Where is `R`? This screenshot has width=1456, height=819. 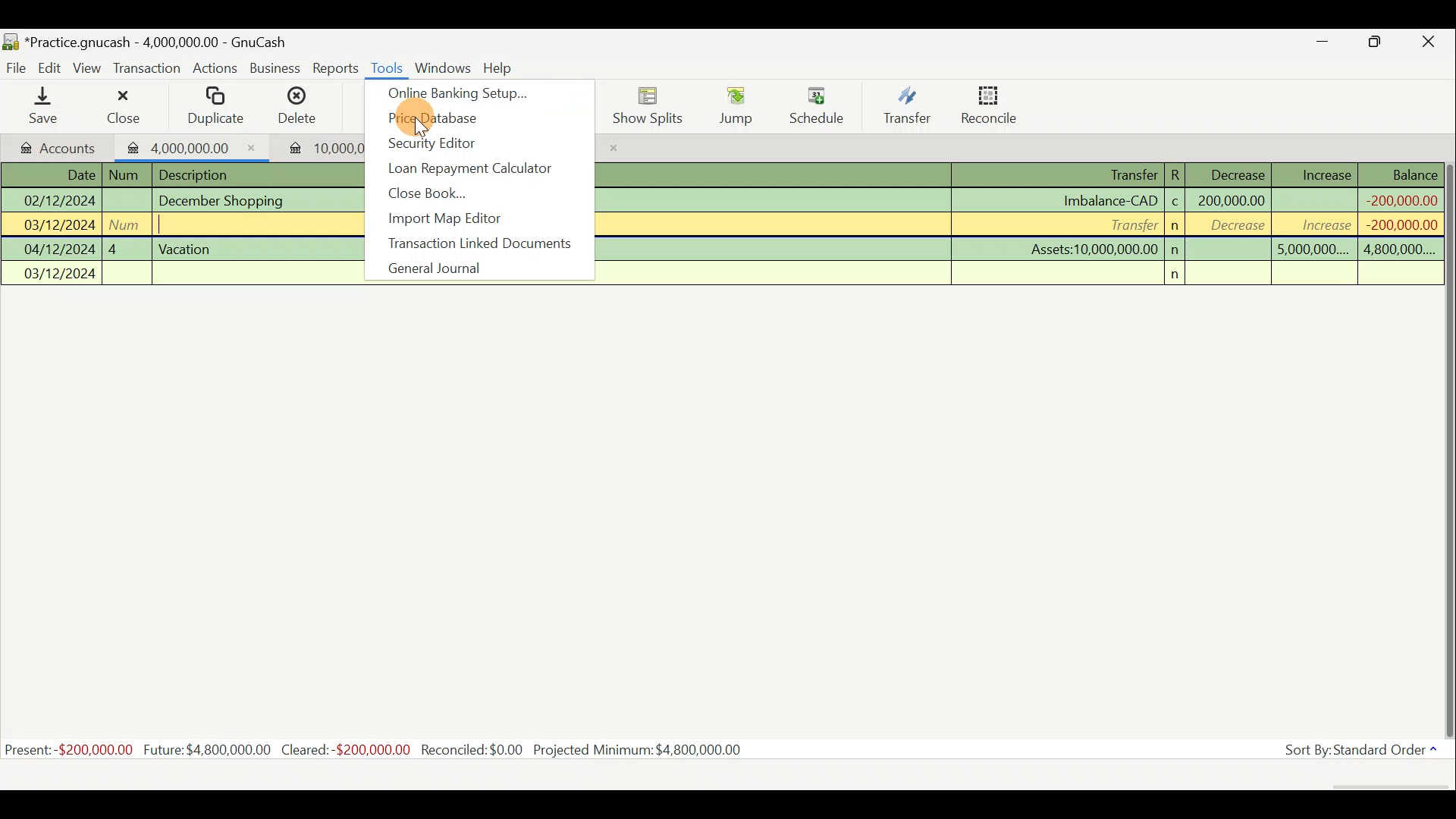 R is located at coordinates (1180, 174).